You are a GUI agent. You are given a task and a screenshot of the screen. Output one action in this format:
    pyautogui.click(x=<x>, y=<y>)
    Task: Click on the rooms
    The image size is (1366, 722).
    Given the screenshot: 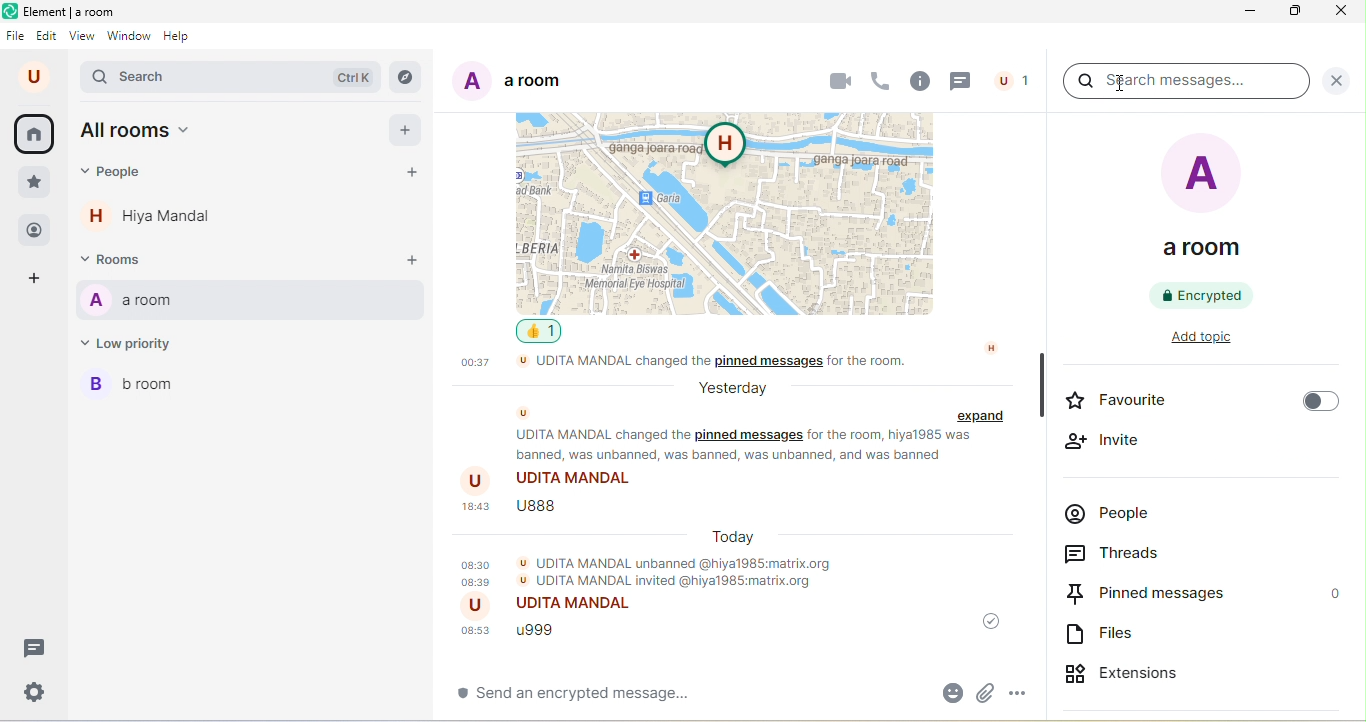 What is the action you would take?
    pyautogui.click(x=120, y=261)
    